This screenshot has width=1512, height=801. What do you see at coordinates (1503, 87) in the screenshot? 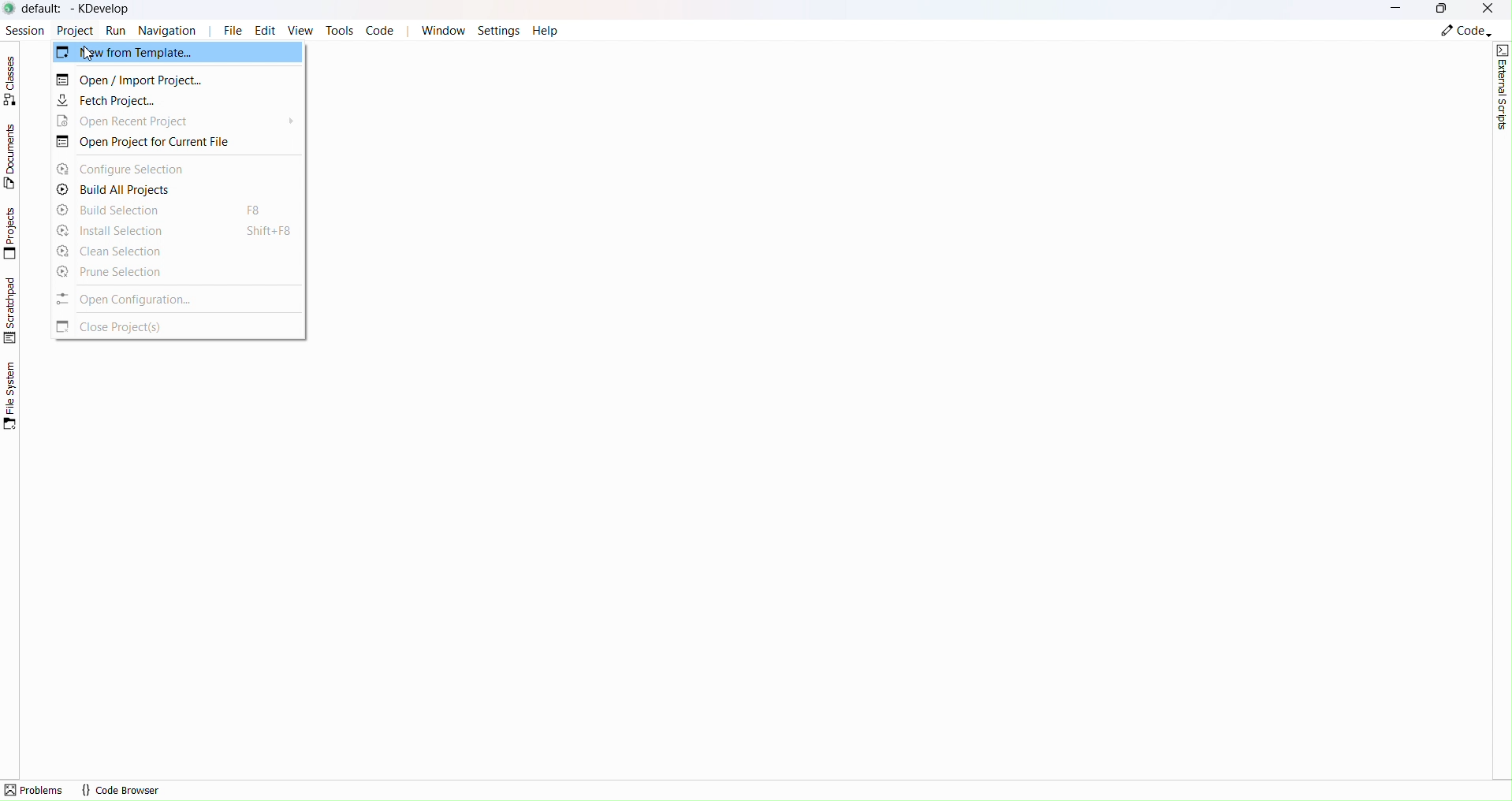
I see `External script` at bounding box center [1503, 87].